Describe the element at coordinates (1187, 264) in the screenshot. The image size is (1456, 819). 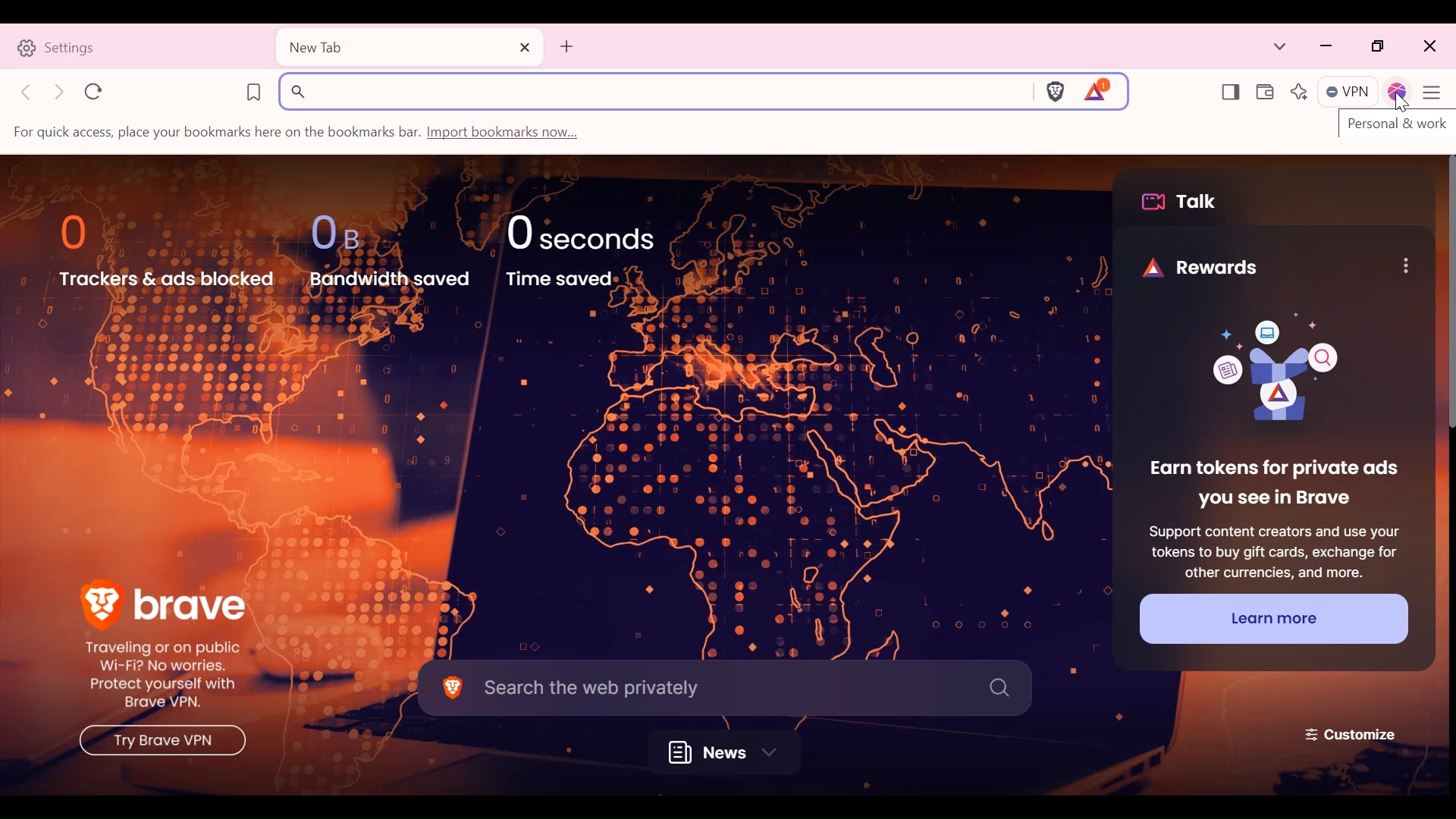
I see `rewards` at that location.